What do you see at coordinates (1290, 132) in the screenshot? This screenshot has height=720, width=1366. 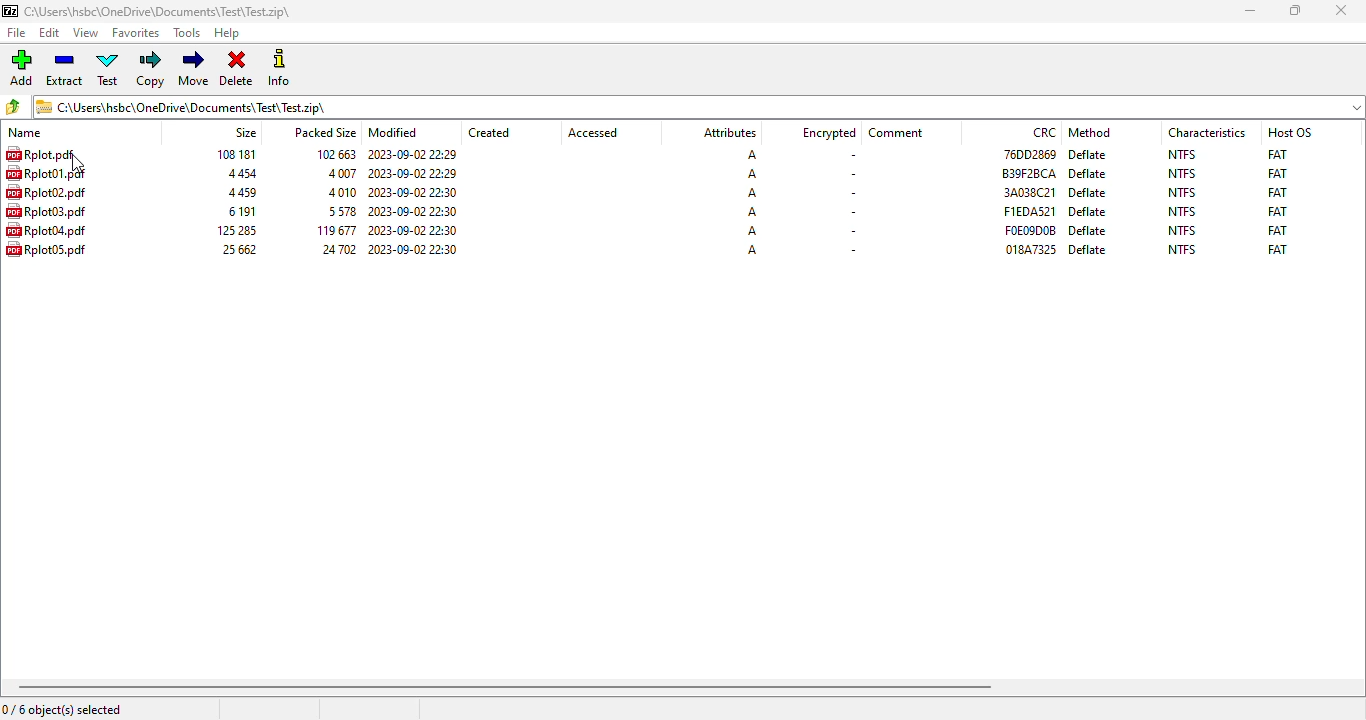 I see `host OS` at bounding box center [1290, 132].